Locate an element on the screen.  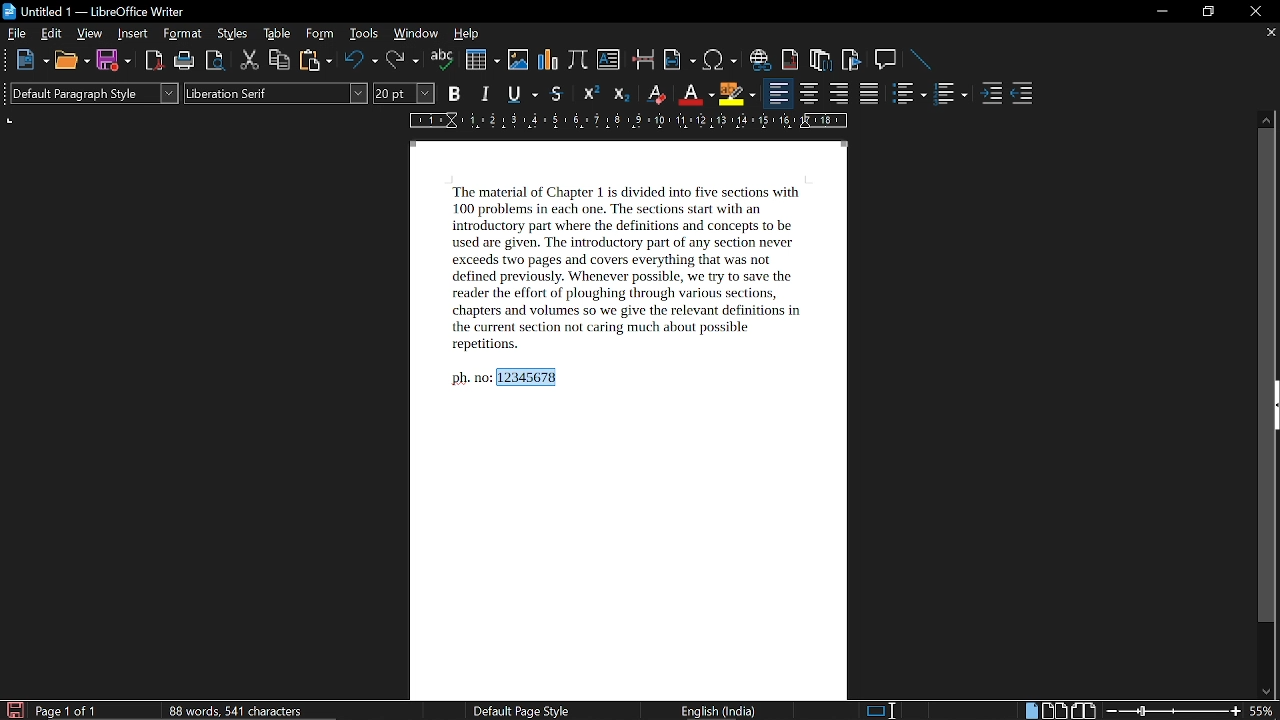
insert image is located at coordinates (517, 60).